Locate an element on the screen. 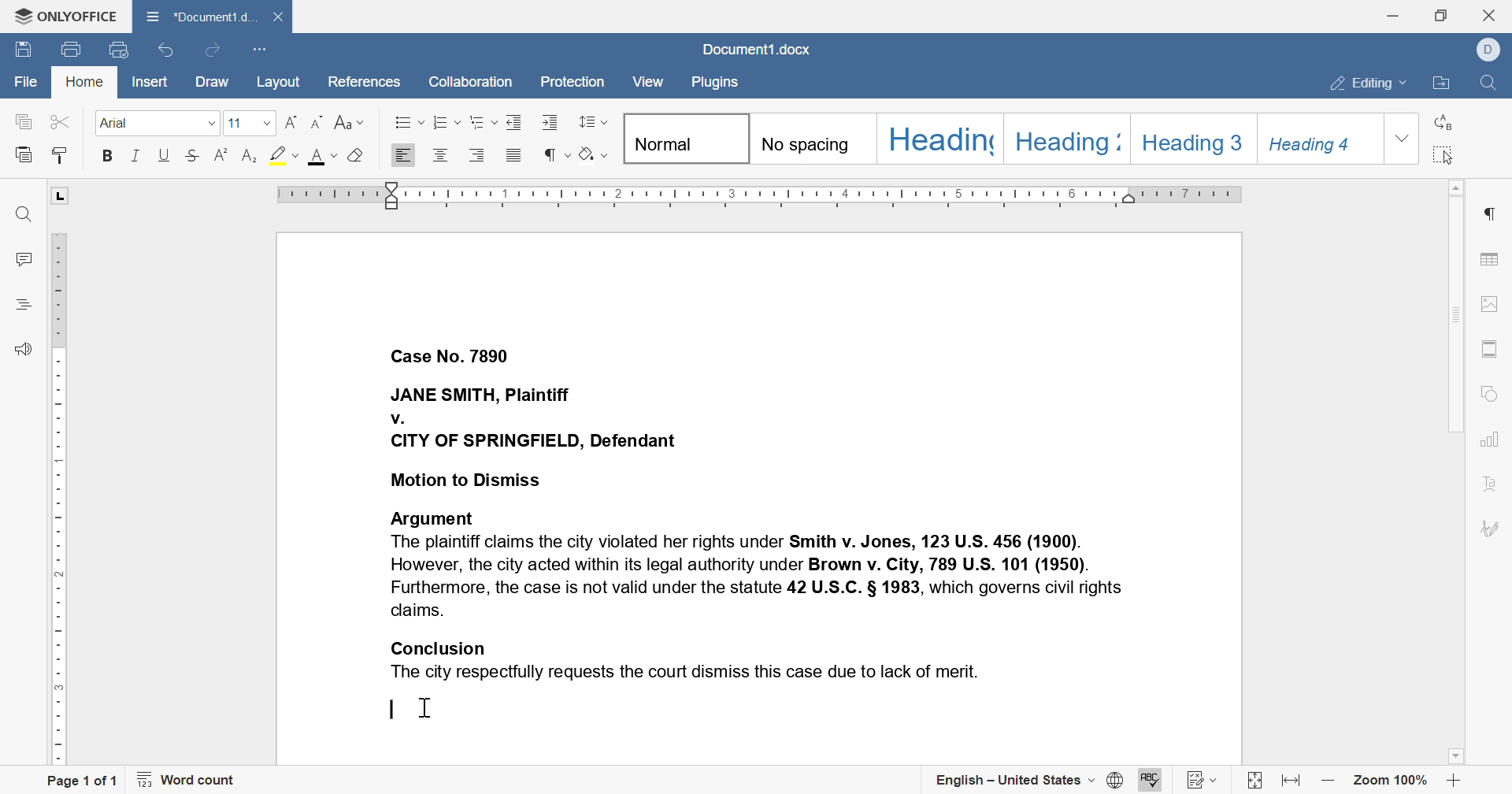  layout is located at coordinates (279, 82).